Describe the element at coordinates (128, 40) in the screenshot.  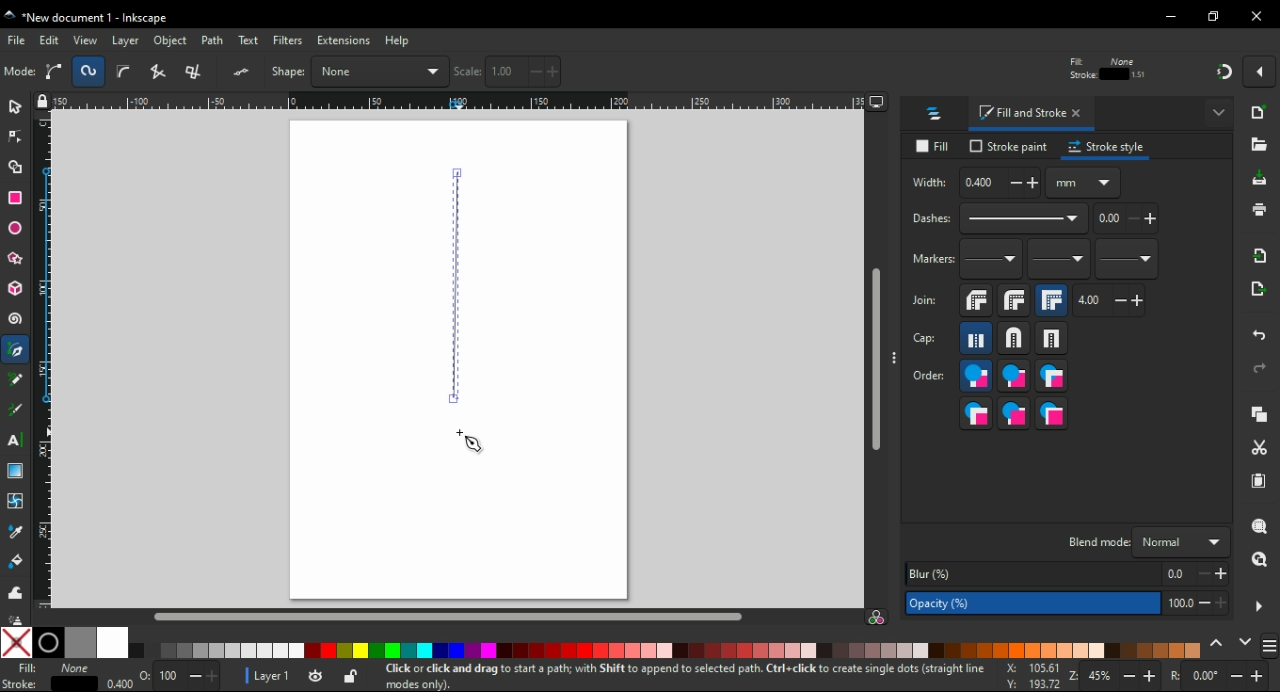
I see `layer` at that location.